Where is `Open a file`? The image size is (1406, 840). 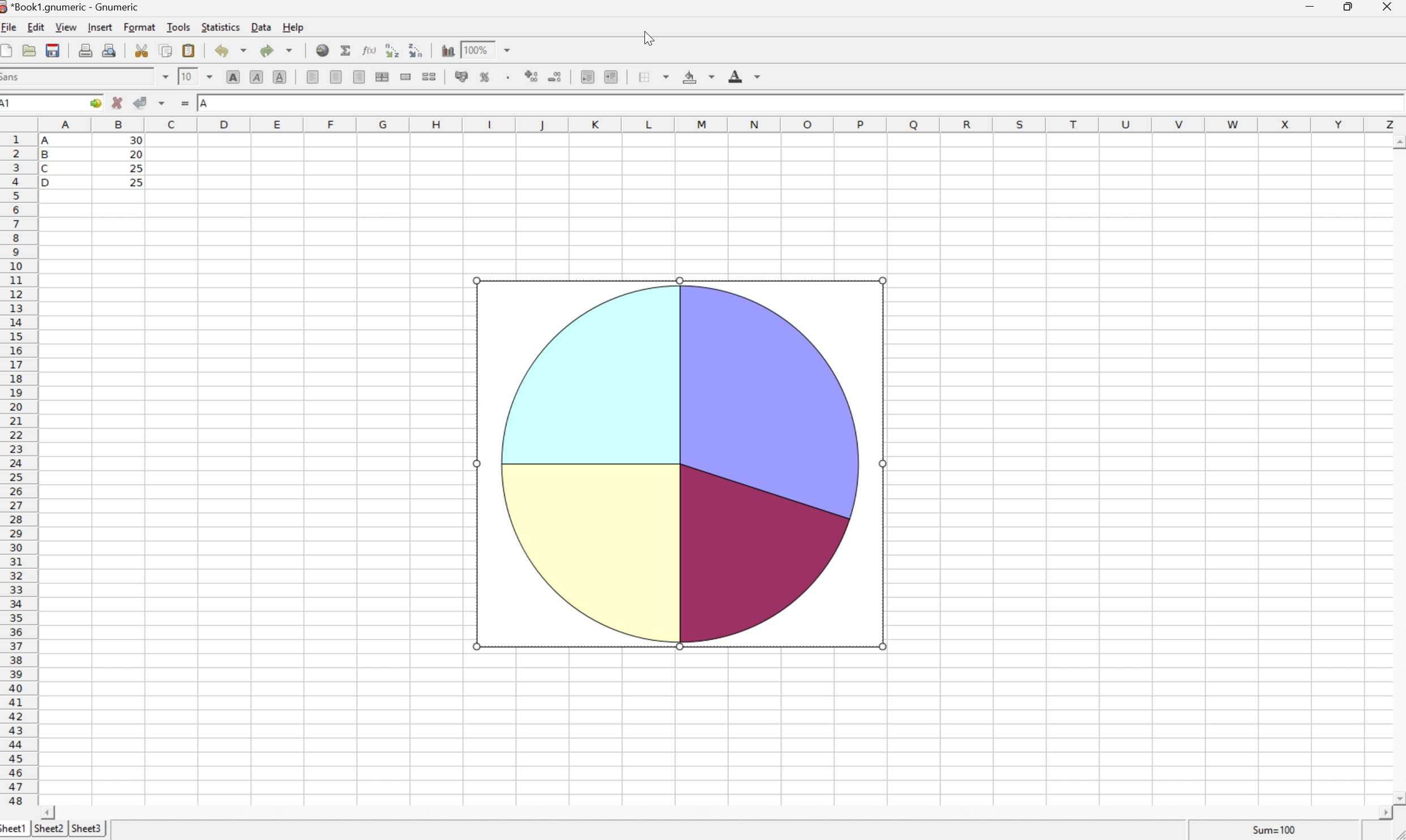 Open a file is located at coordinates (29, 50).